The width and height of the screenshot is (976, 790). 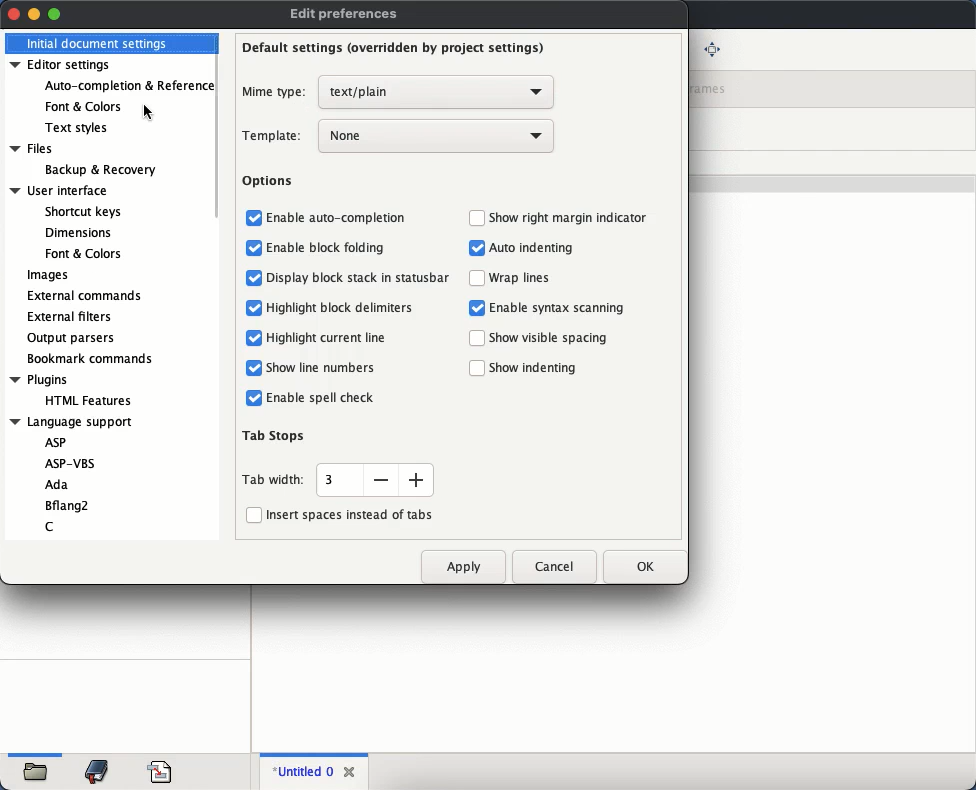 What do you see at coordinates (273, 435) in the screenshot?
I see `tab stops` at bounding box center [273, 435].